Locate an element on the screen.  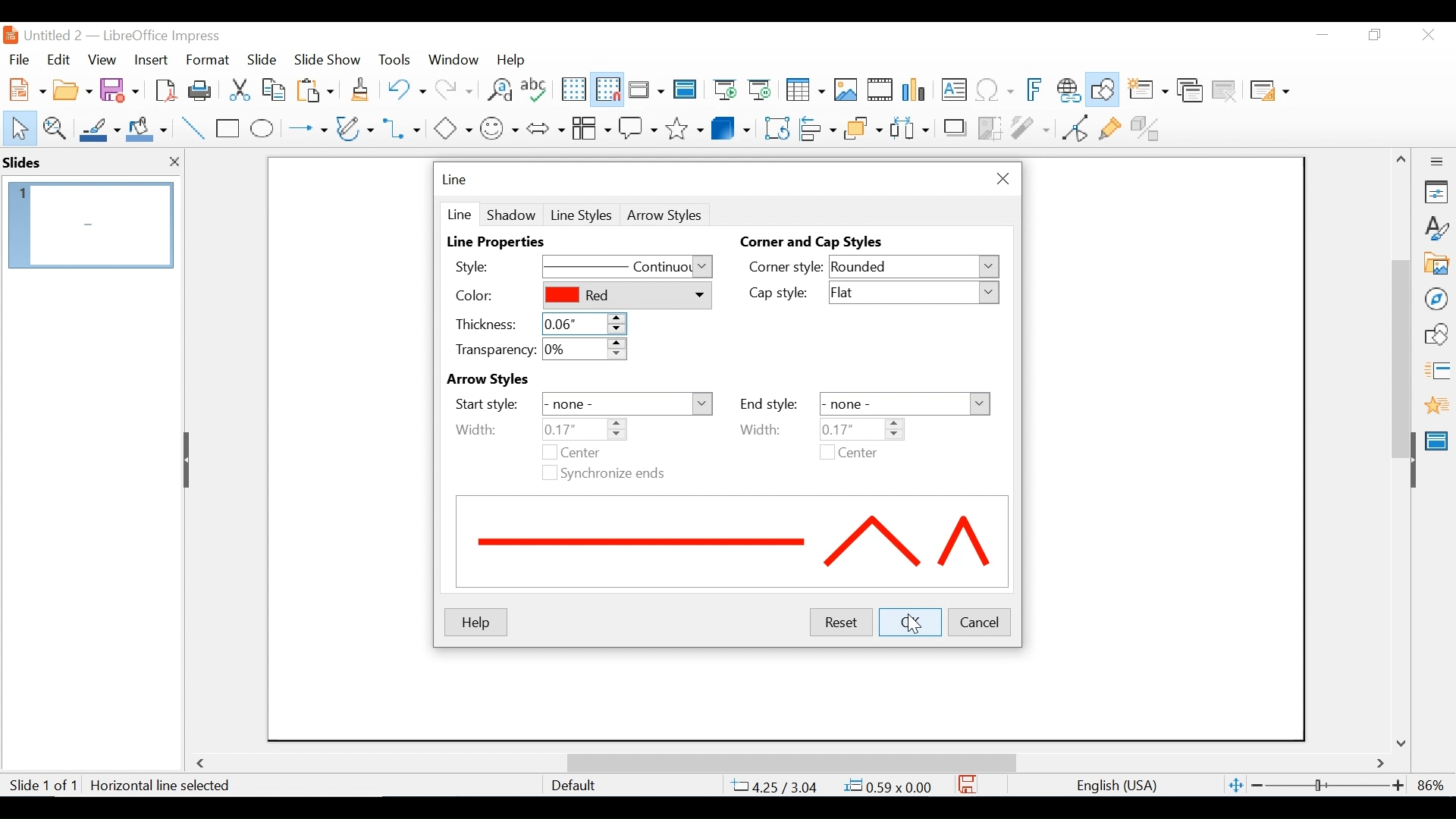
Undo is located at coordinates (404, 88).